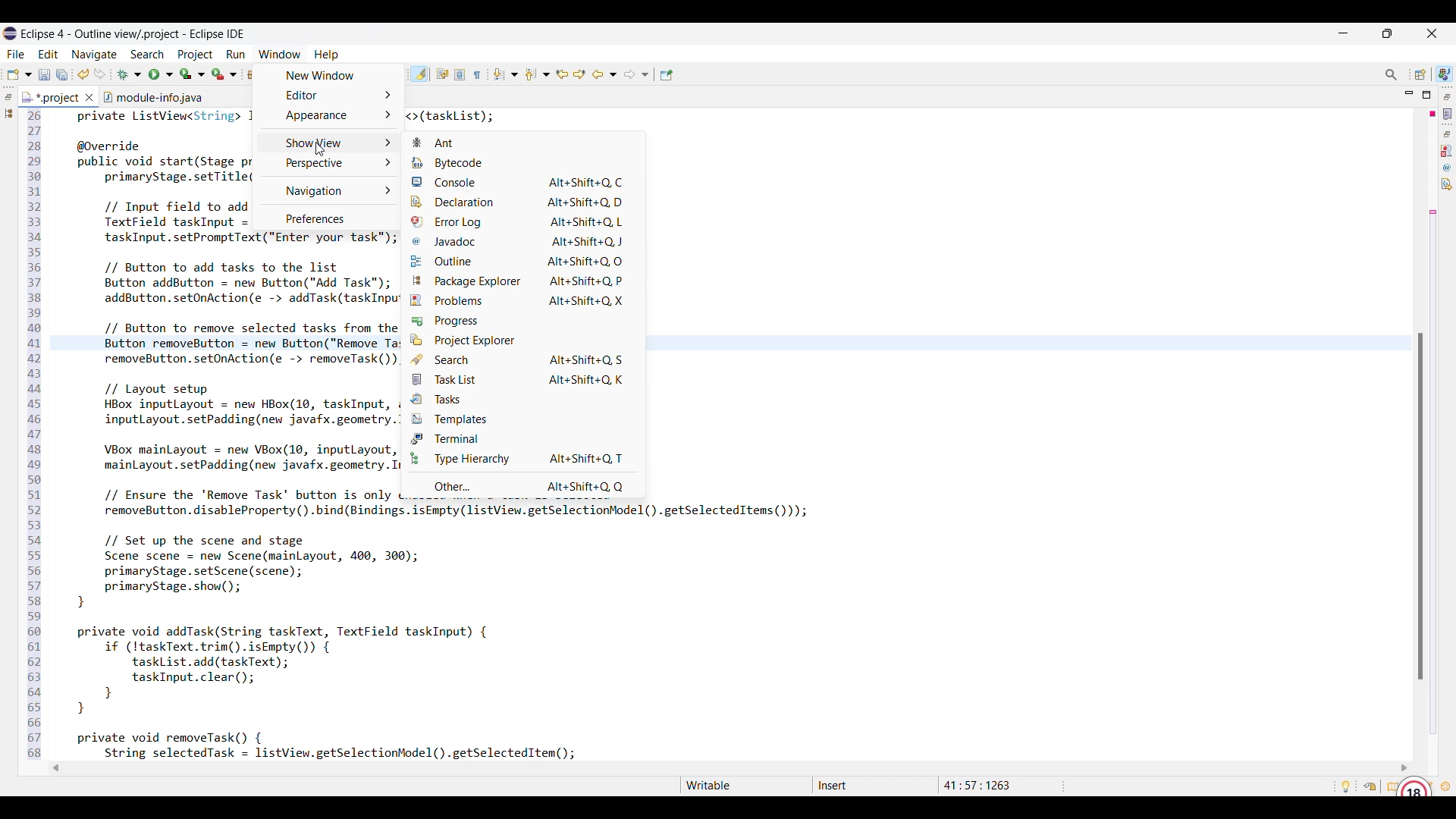 Image resolution: width=1456 pixels, height=819 pixels. Describe the element at coordinates (538, 74) in the screenshot. I see `Previous annotation` at that location.